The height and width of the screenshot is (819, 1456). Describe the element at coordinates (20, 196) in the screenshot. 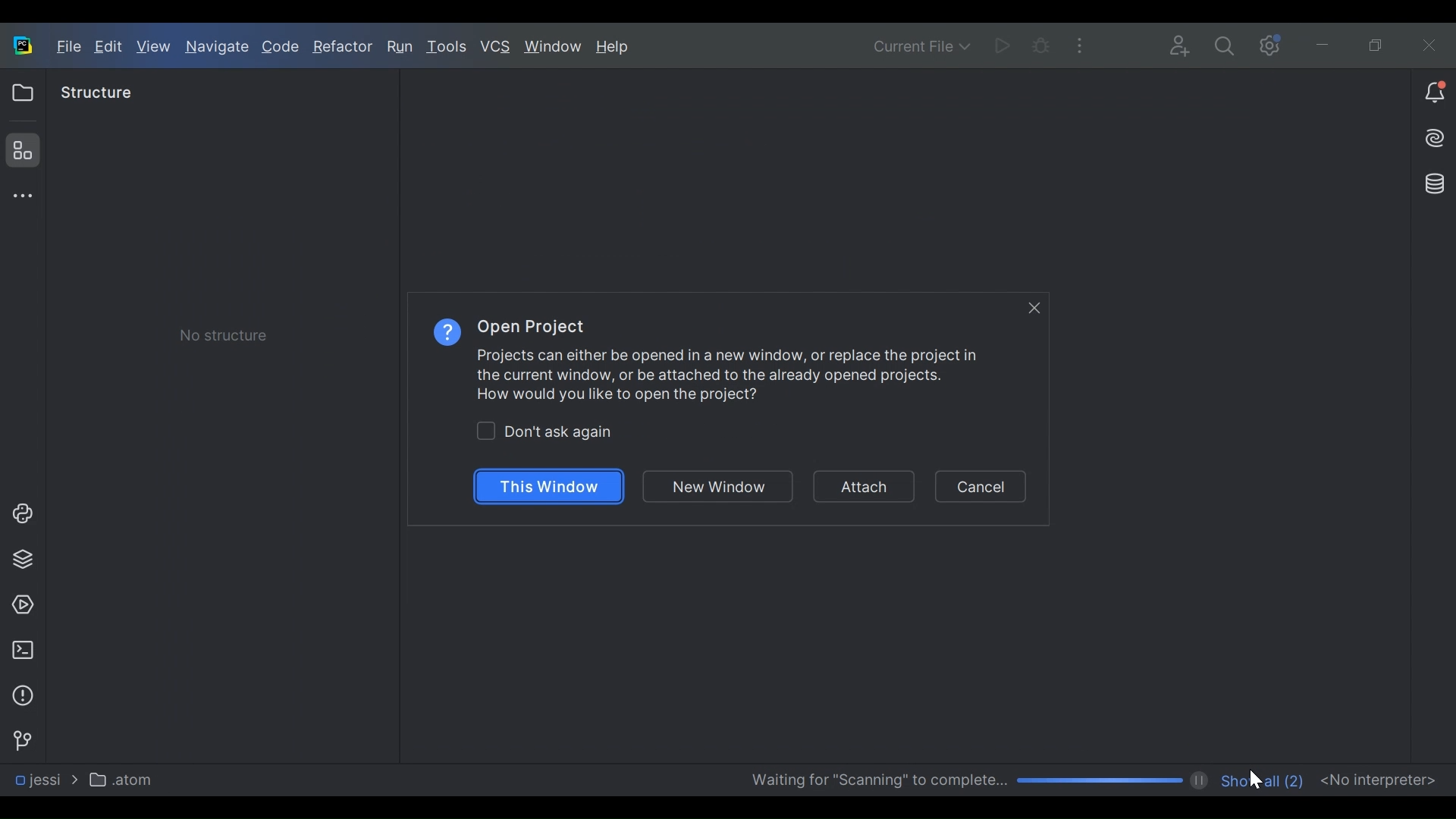

I see `More tool window` at that location.